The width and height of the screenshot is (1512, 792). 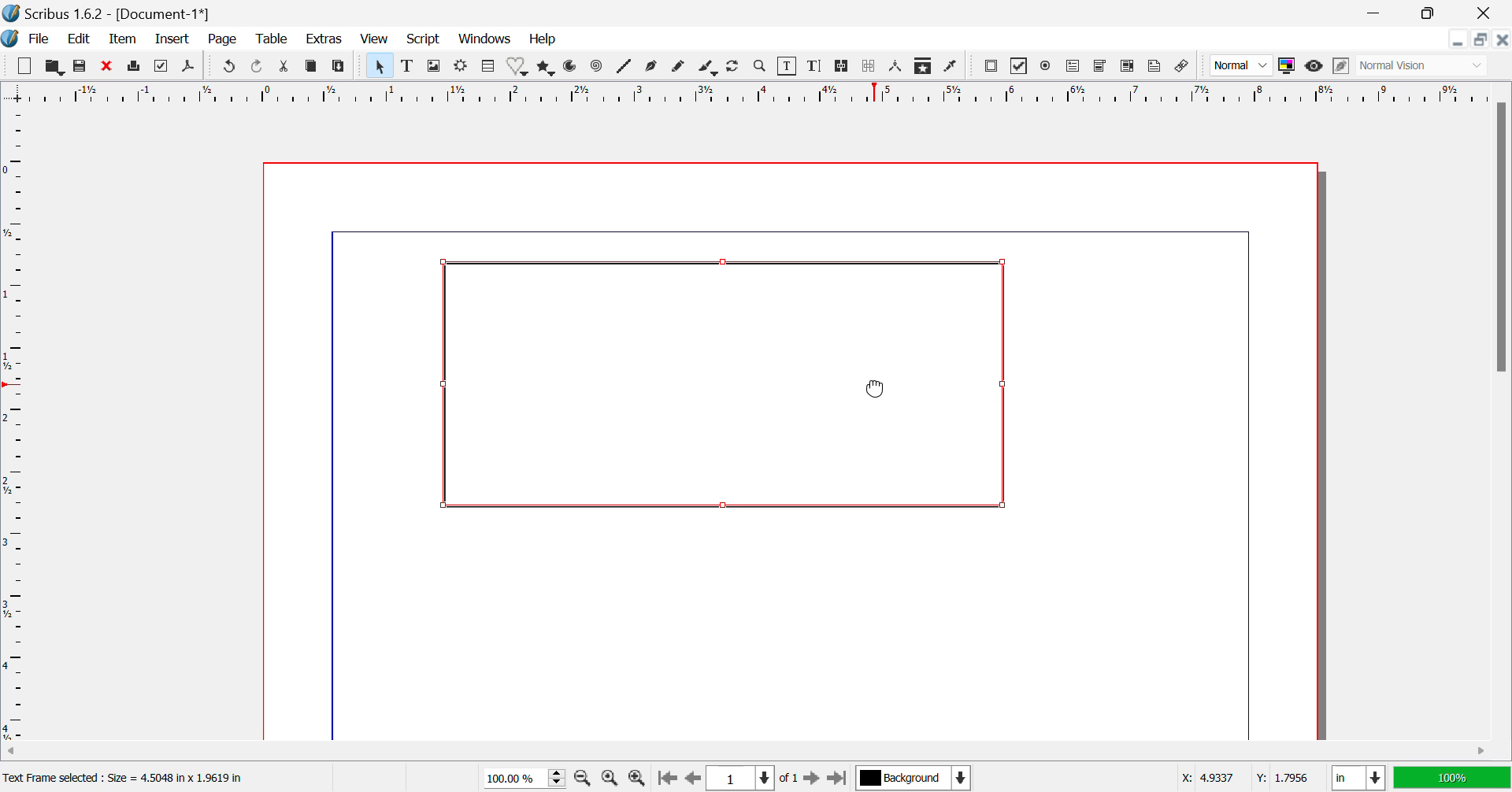 What do you see at coordinates (520, 68) in the screenshot?
I see `Shapes` at bounding box center [520, 68].